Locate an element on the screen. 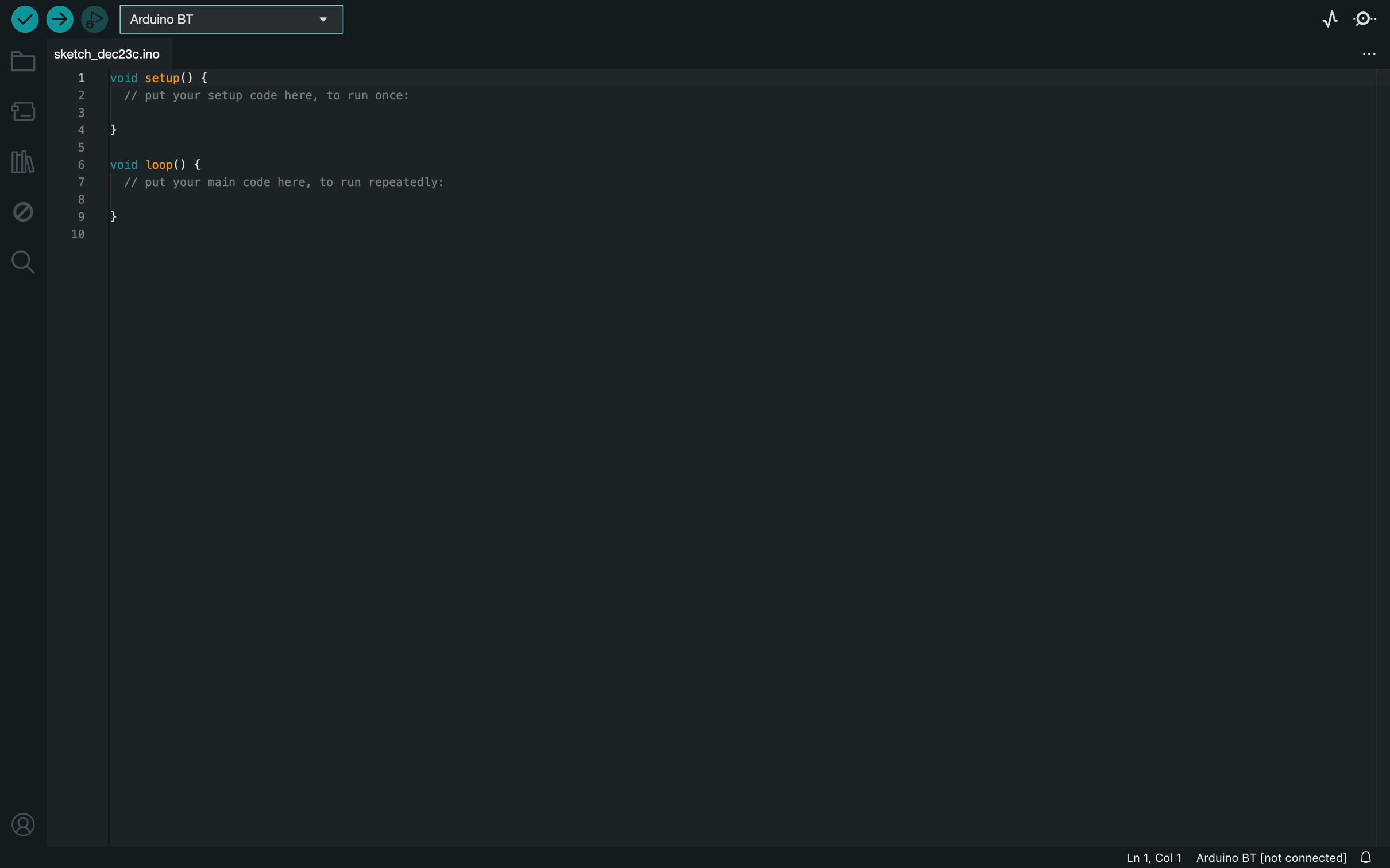  profile is located at coordinates (26, 824).